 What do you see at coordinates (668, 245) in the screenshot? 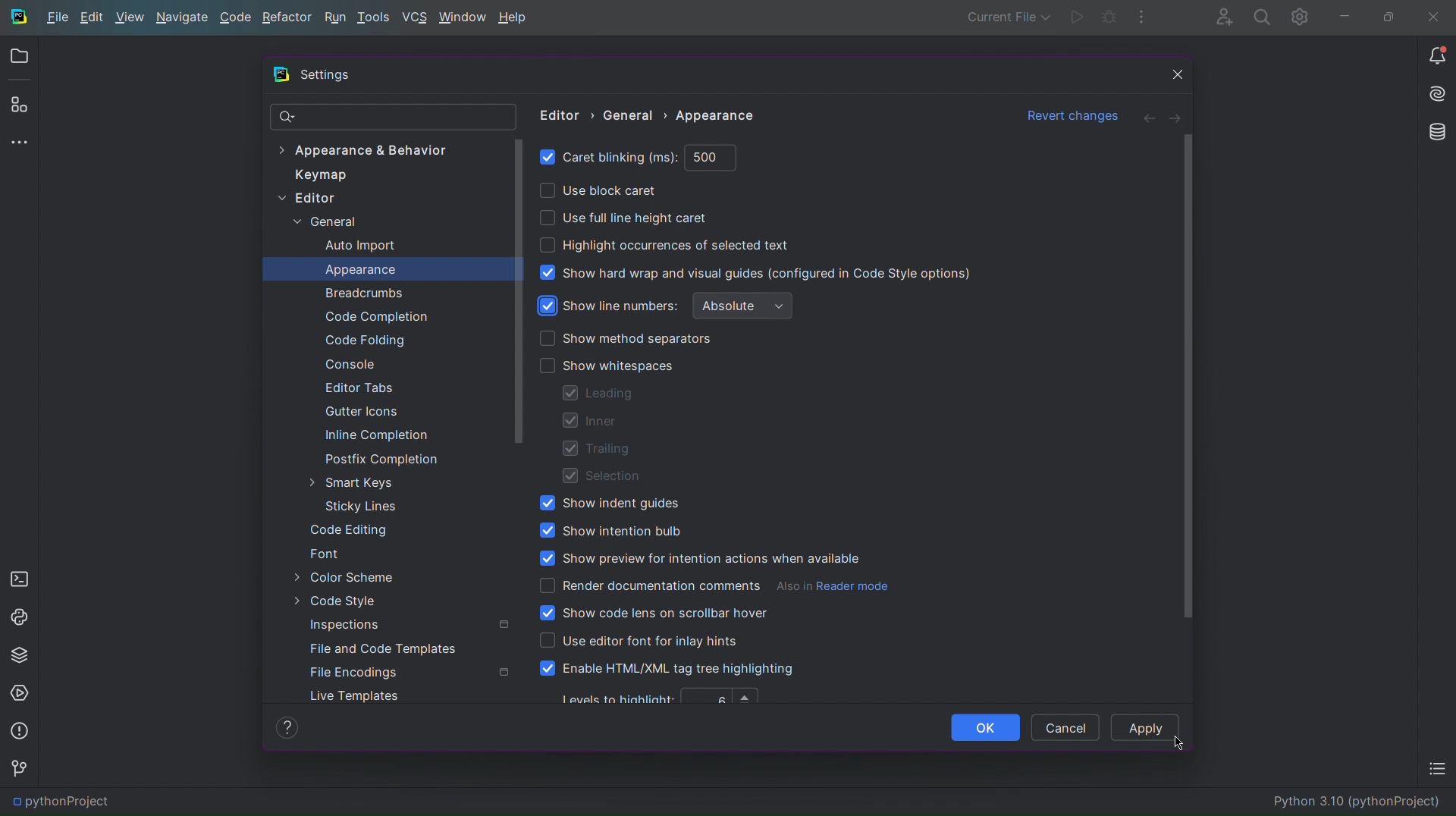
I see `Highlight occurrences of selected text` at bounding box center [668, 245].